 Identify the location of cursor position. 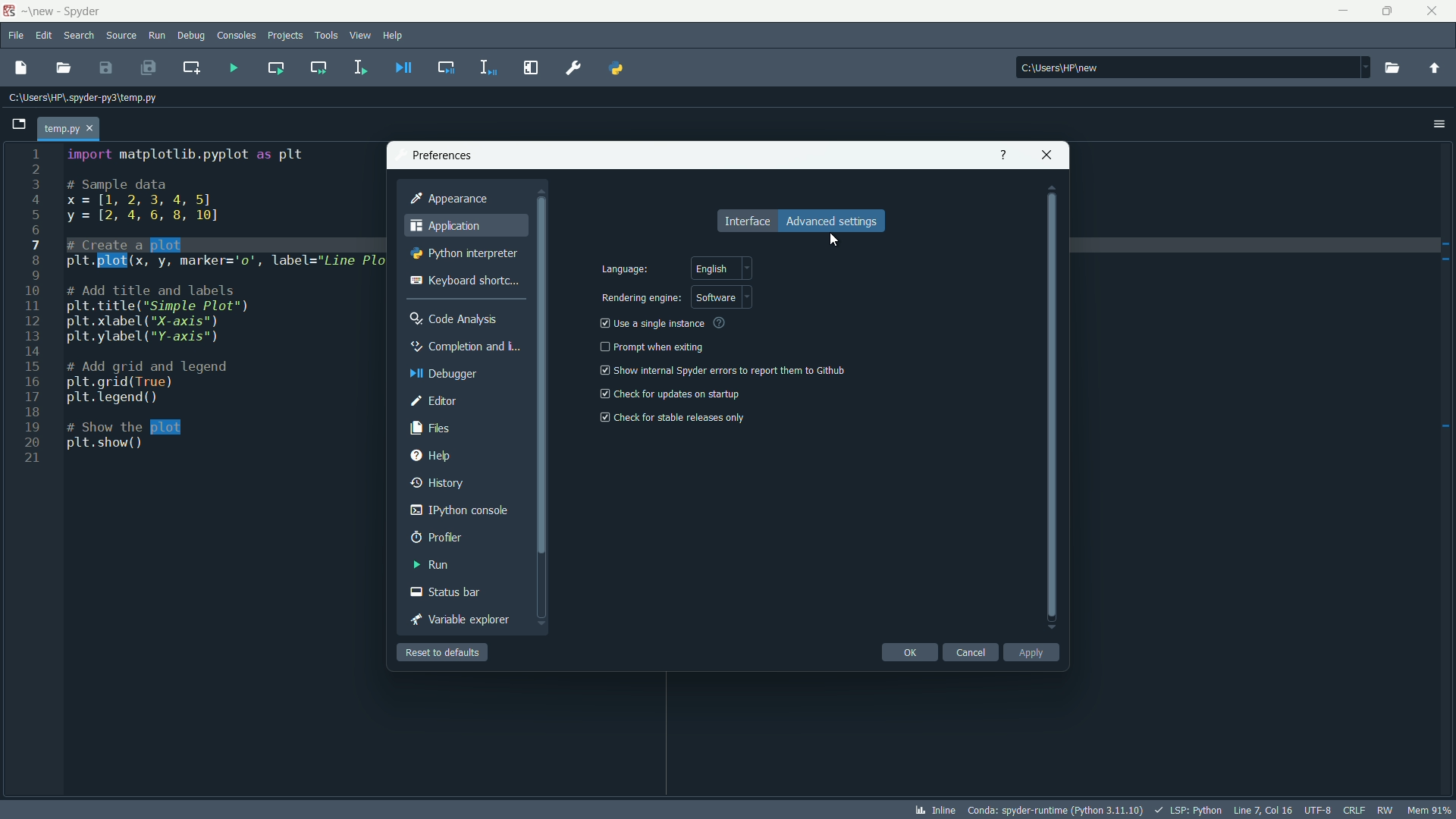
(1264, 810).